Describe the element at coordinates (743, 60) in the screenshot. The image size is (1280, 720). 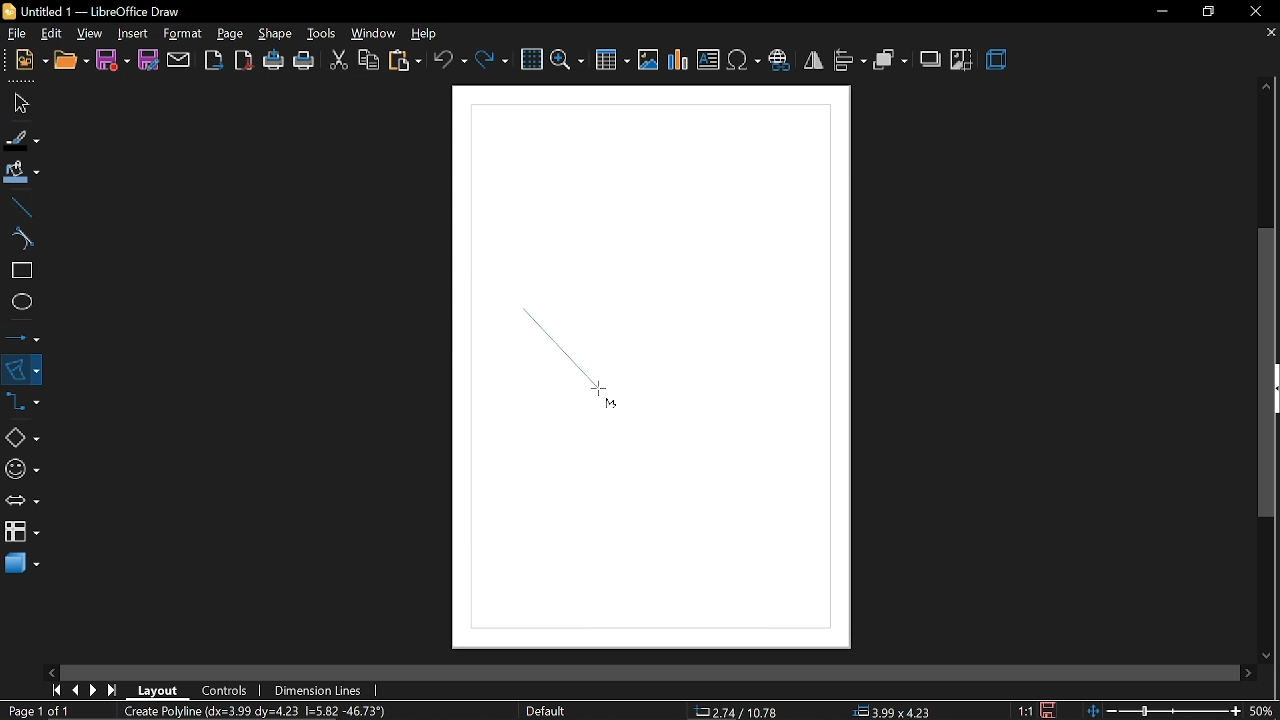
I see `insert symbol` at that location.